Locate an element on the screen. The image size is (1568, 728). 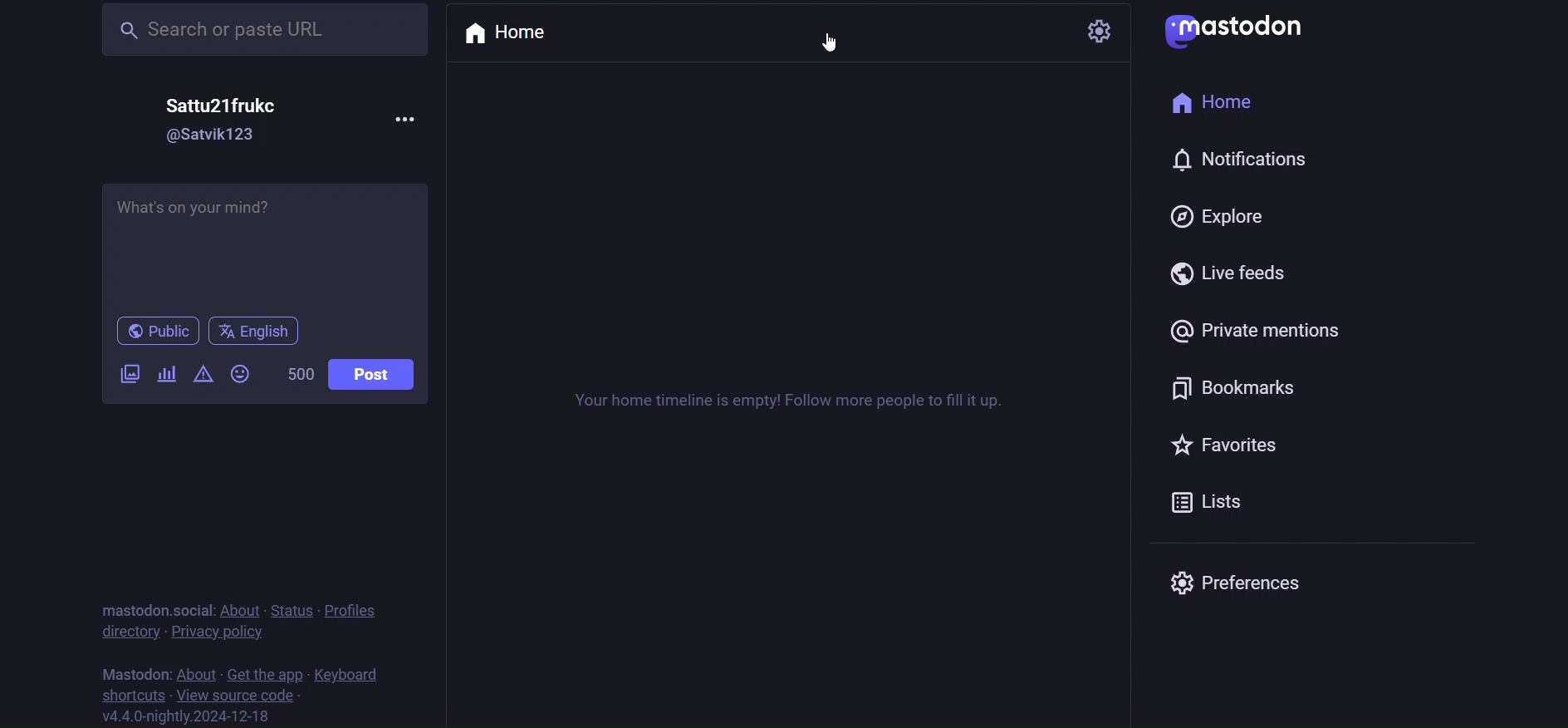
home is located at coordinates (512, 32).